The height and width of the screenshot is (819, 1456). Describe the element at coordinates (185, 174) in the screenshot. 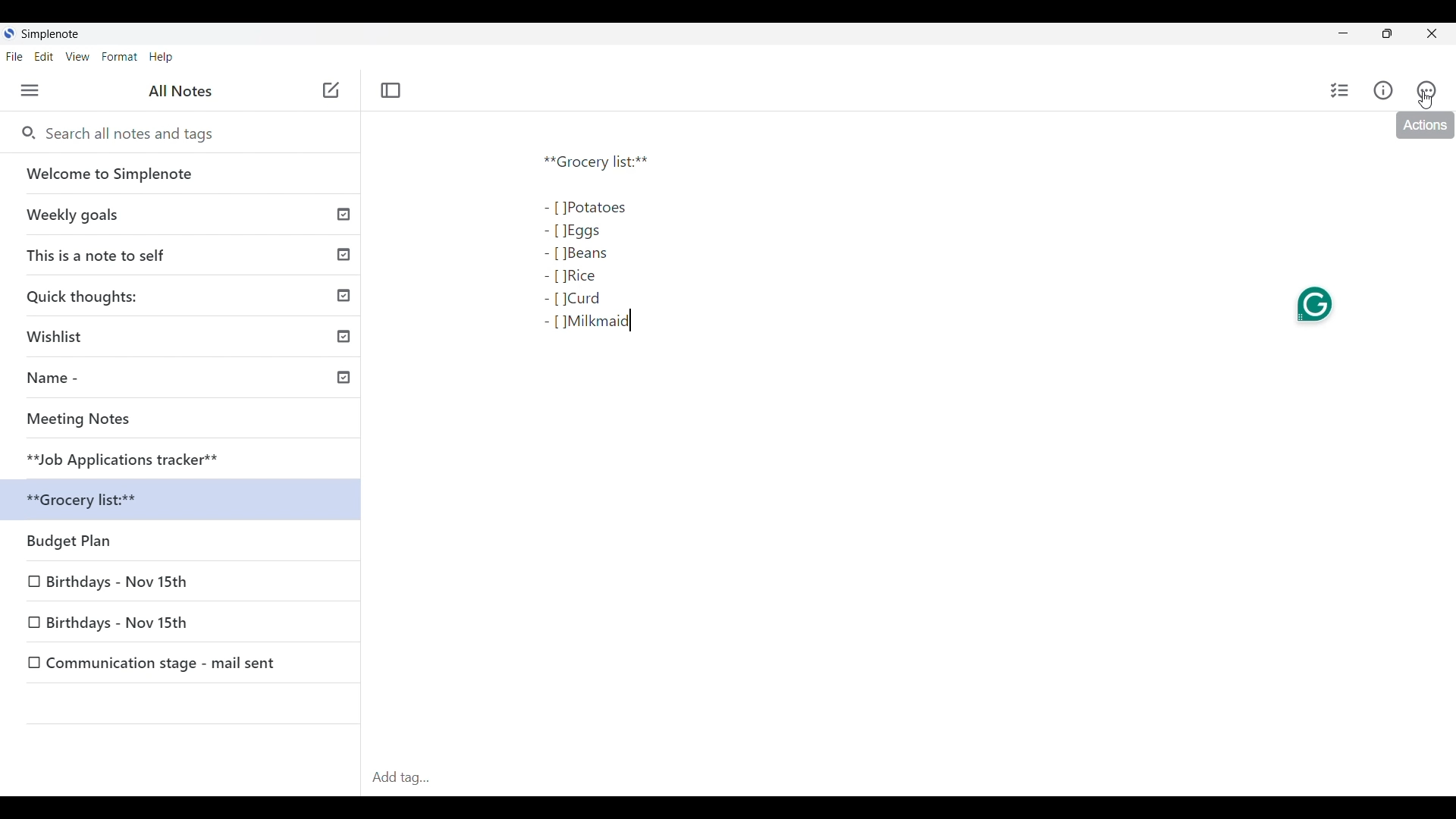

I see `Welcome to Simplenote` at that location.